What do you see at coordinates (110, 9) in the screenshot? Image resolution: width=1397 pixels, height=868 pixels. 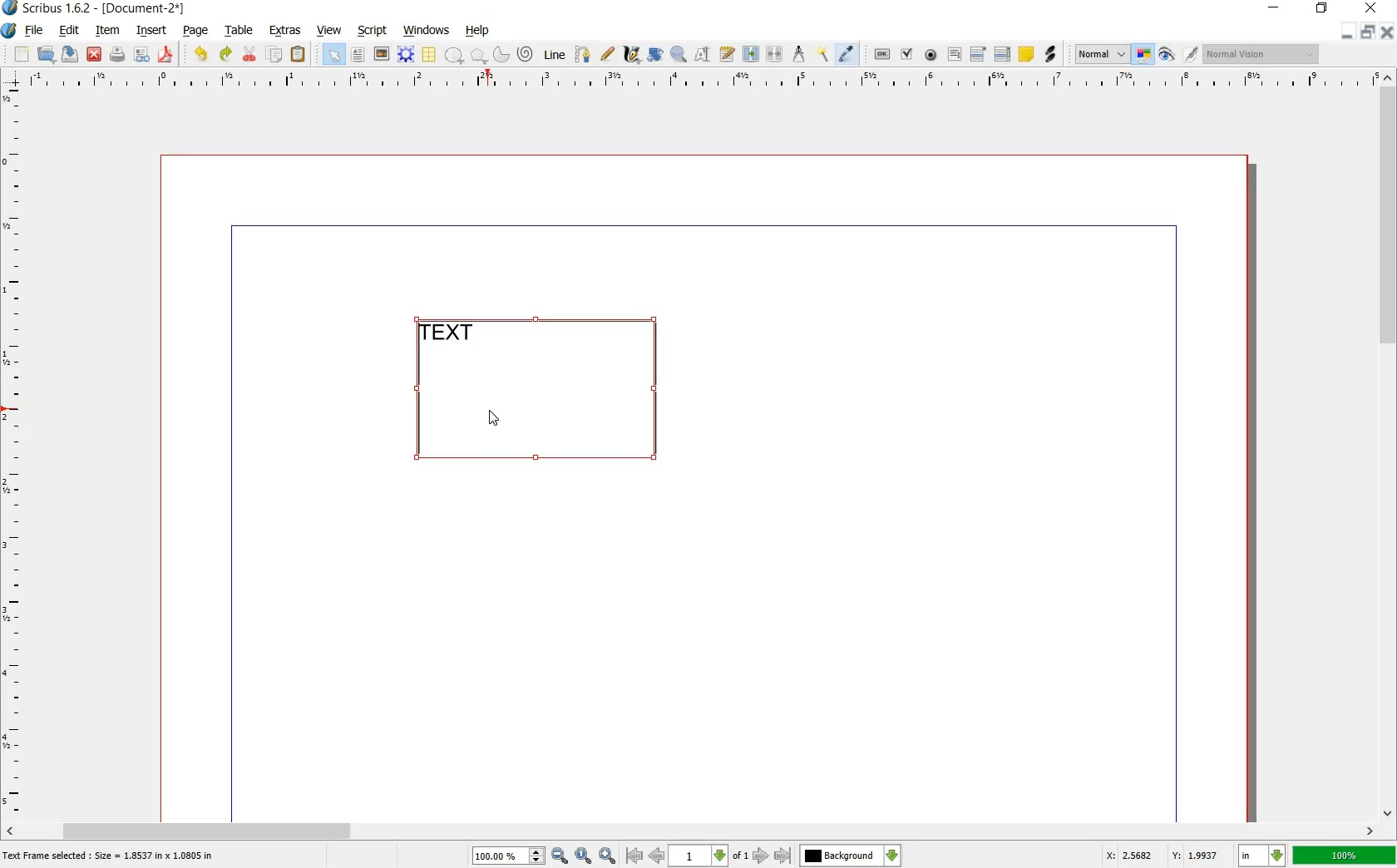 I see `scribus 1.6.2 - [document-2*]` at bounding box center [110, 9].